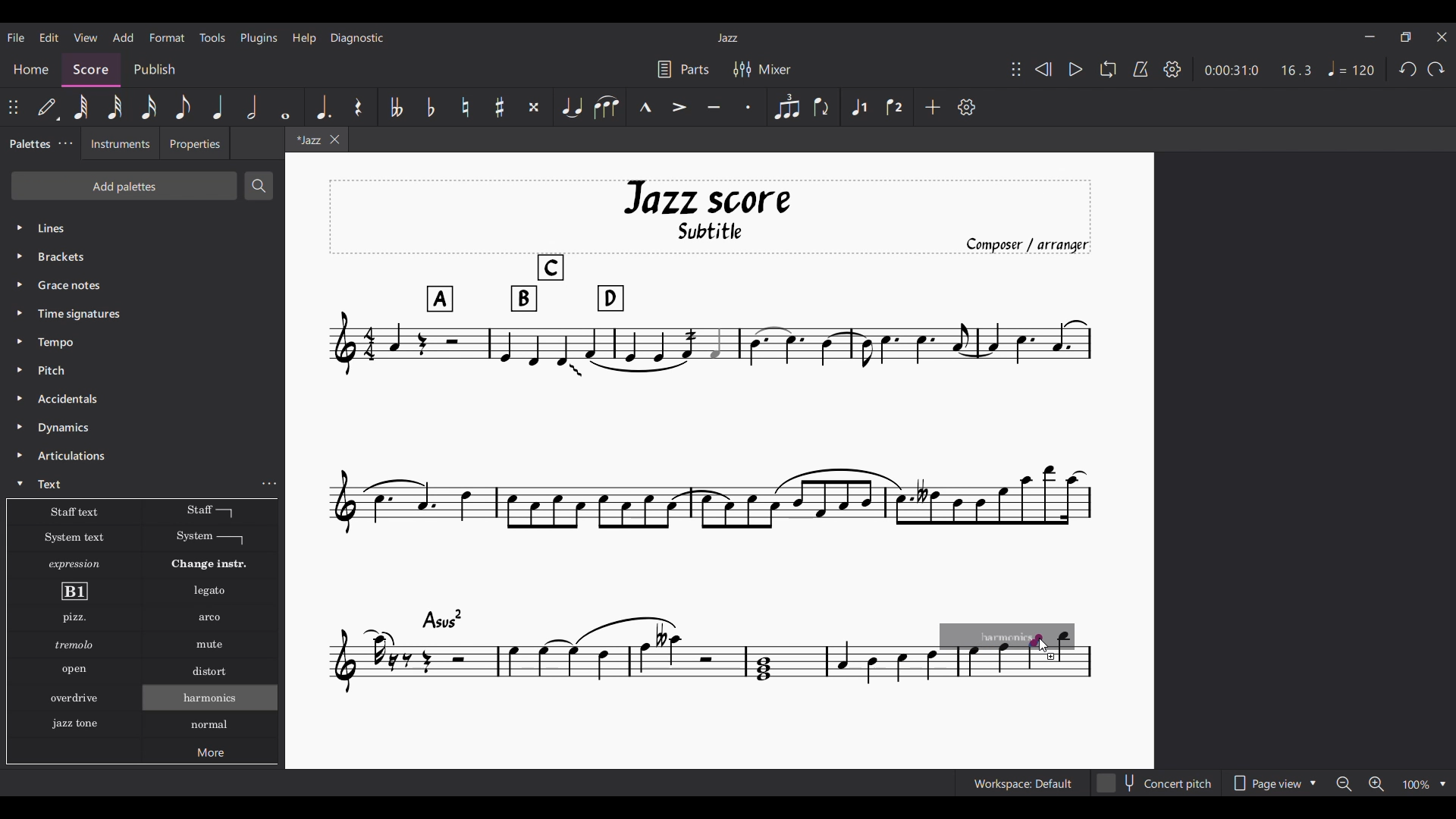 The image size is (1456, 819). I want to click on Preview options, so click(1275, 783).